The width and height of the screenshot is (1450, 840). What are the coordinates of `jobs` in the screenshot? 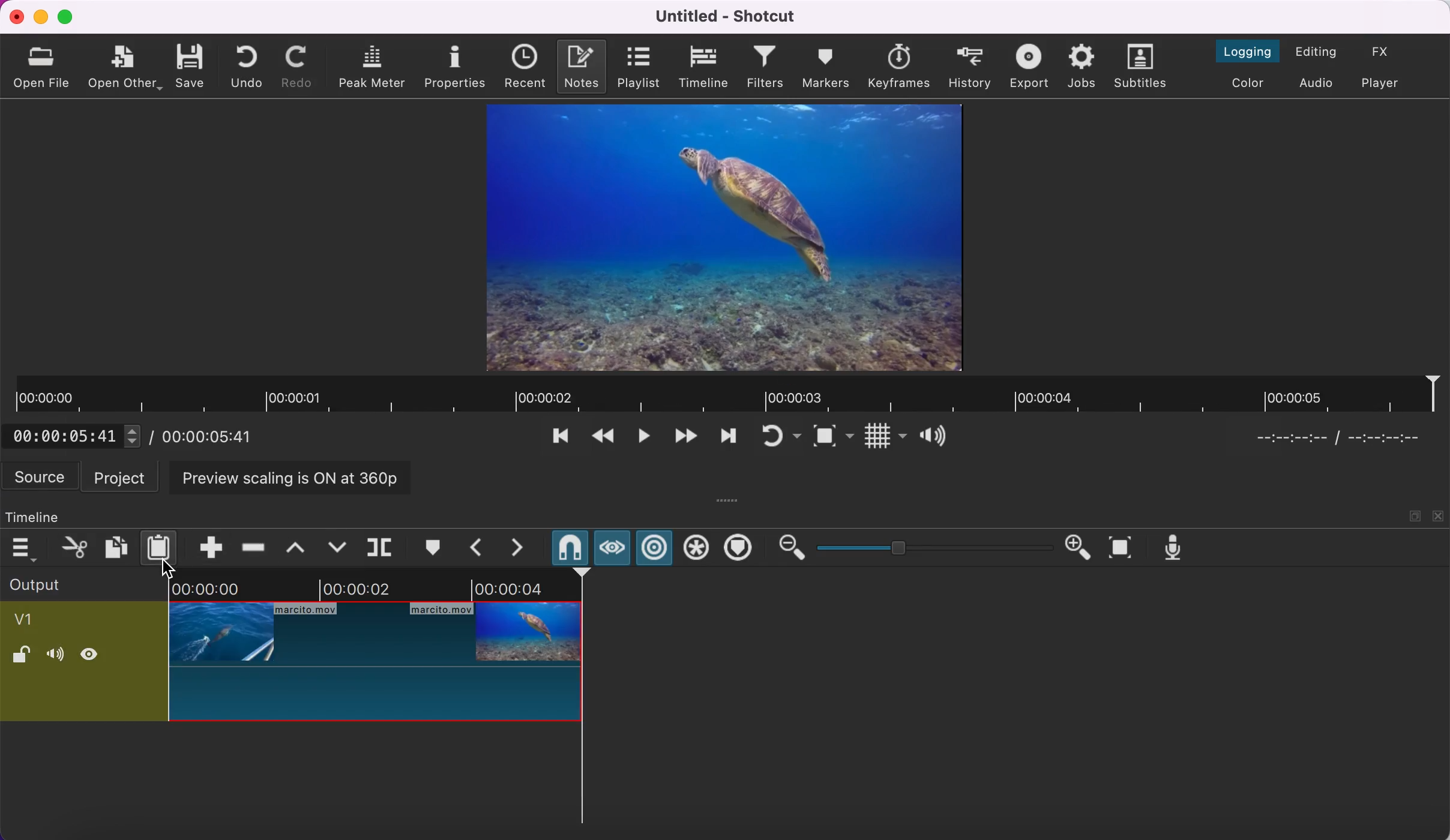 It's located at (1083, 67).